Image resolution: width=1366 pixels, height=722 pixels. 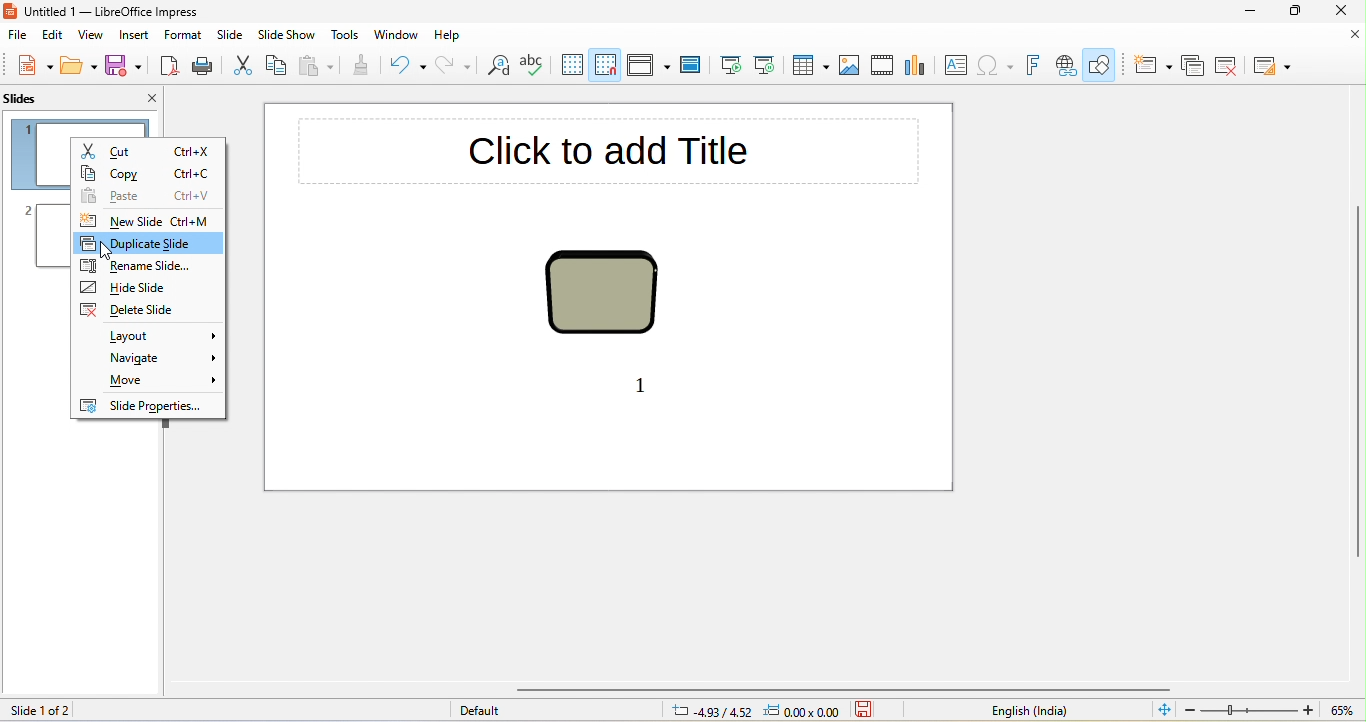 I want to click on edit, so click(x=54, y=35).